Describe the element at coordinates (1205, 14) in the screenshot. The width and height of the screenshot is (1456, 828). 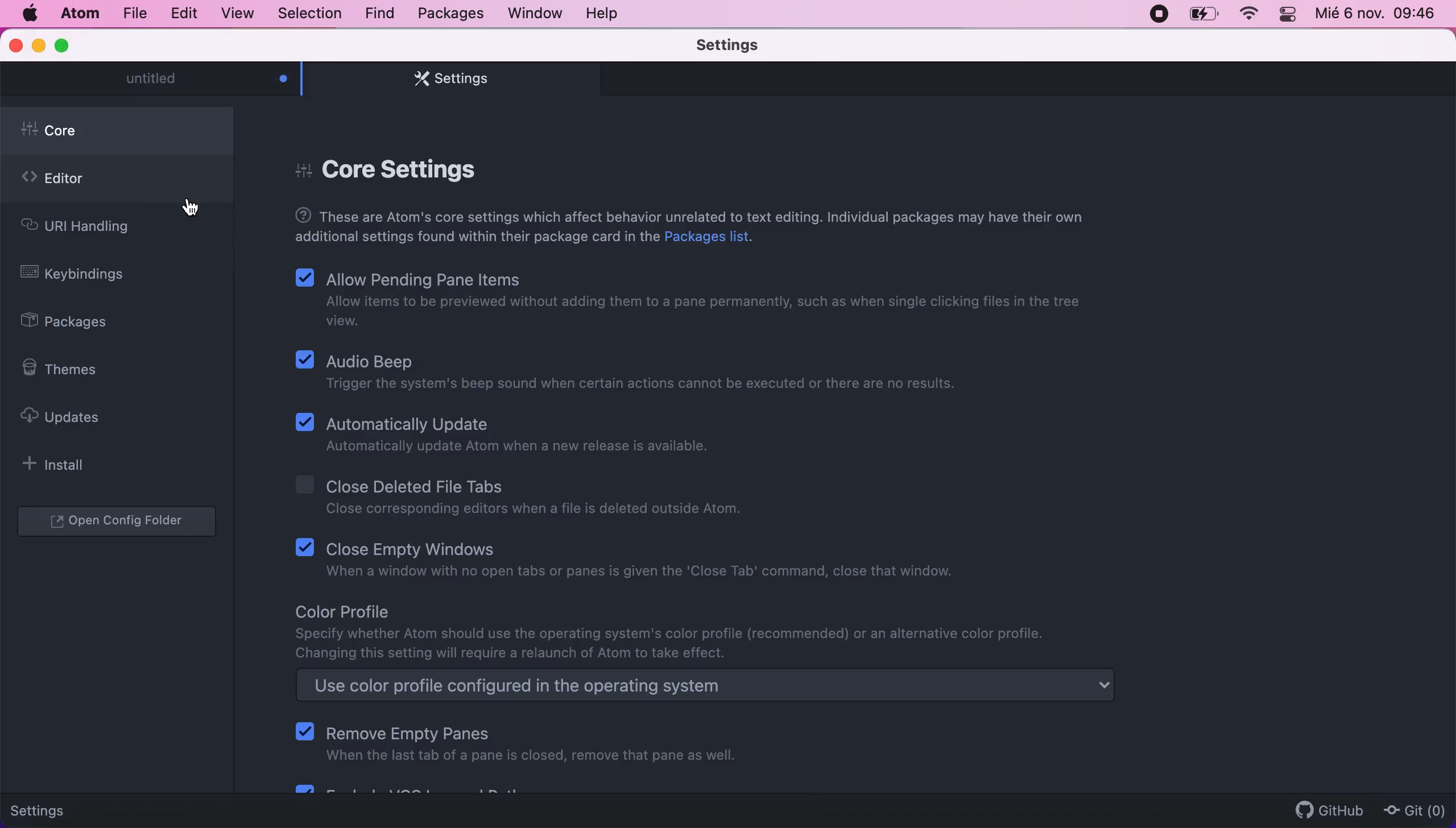
I see `battery` at that location.